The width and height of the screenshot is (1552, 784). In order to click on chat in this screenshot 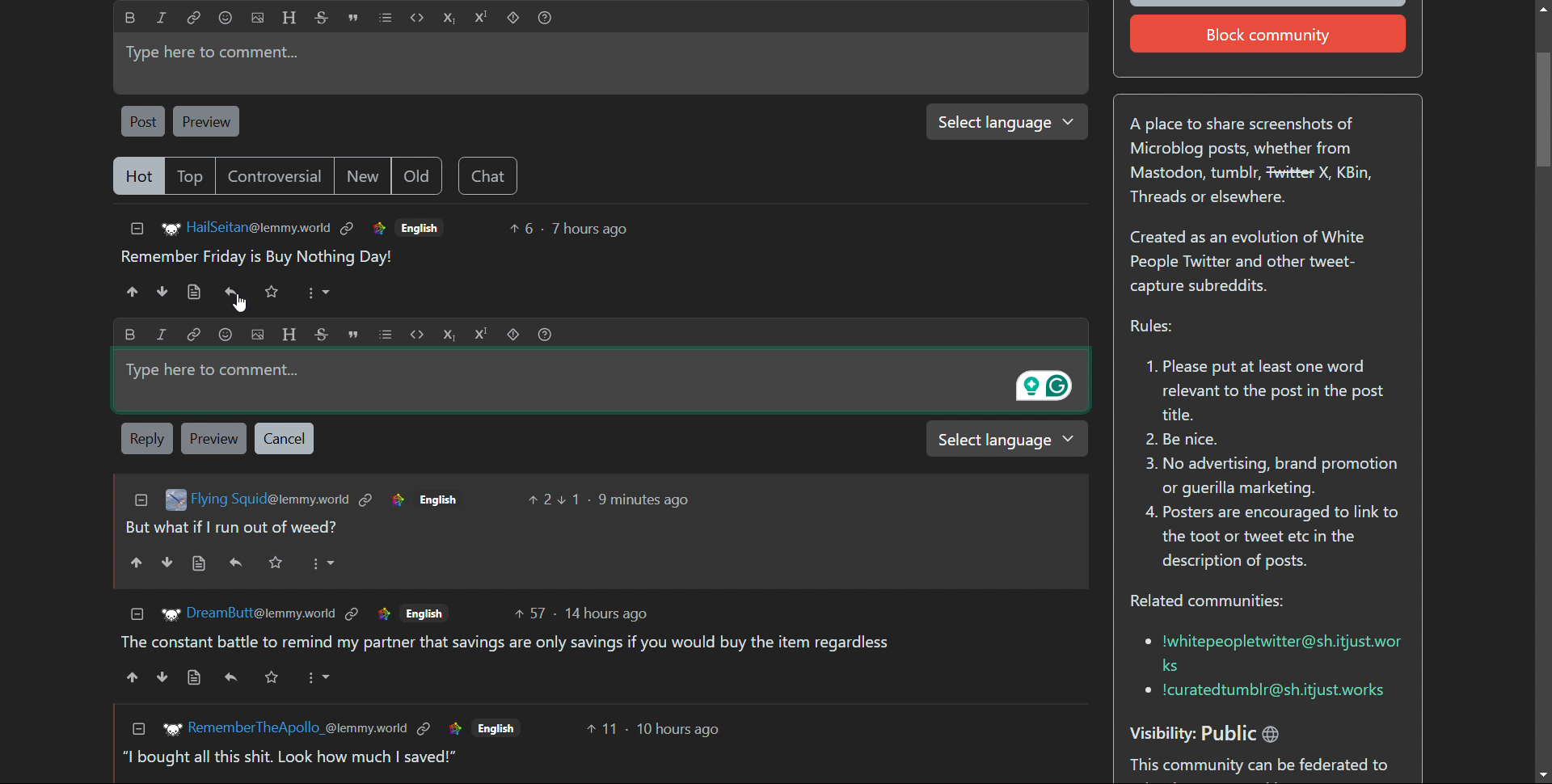, I will do `click(487, 176)`.